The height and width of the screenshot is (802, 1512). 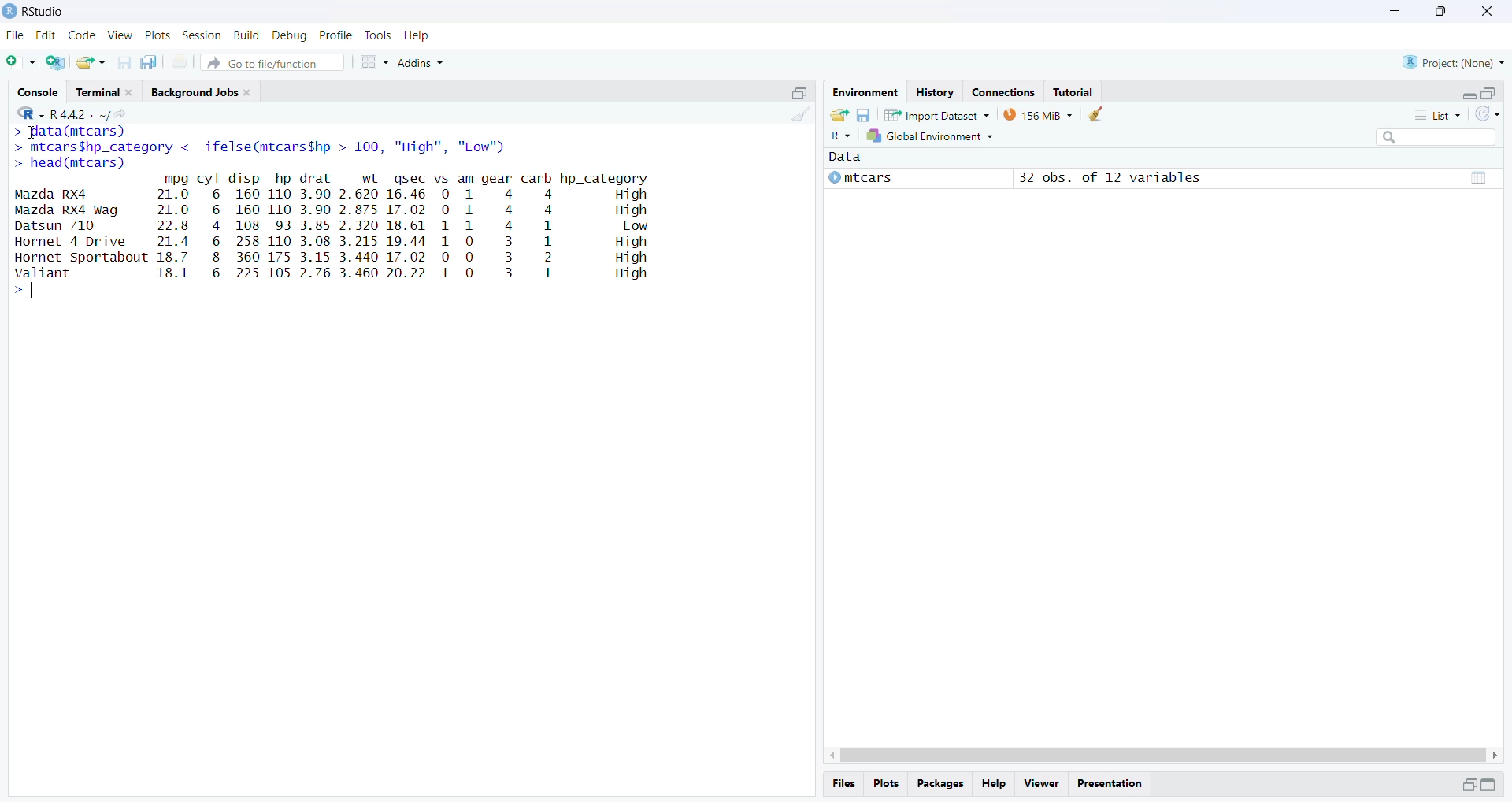 I want to click on Console, so click(x=40, y=91).